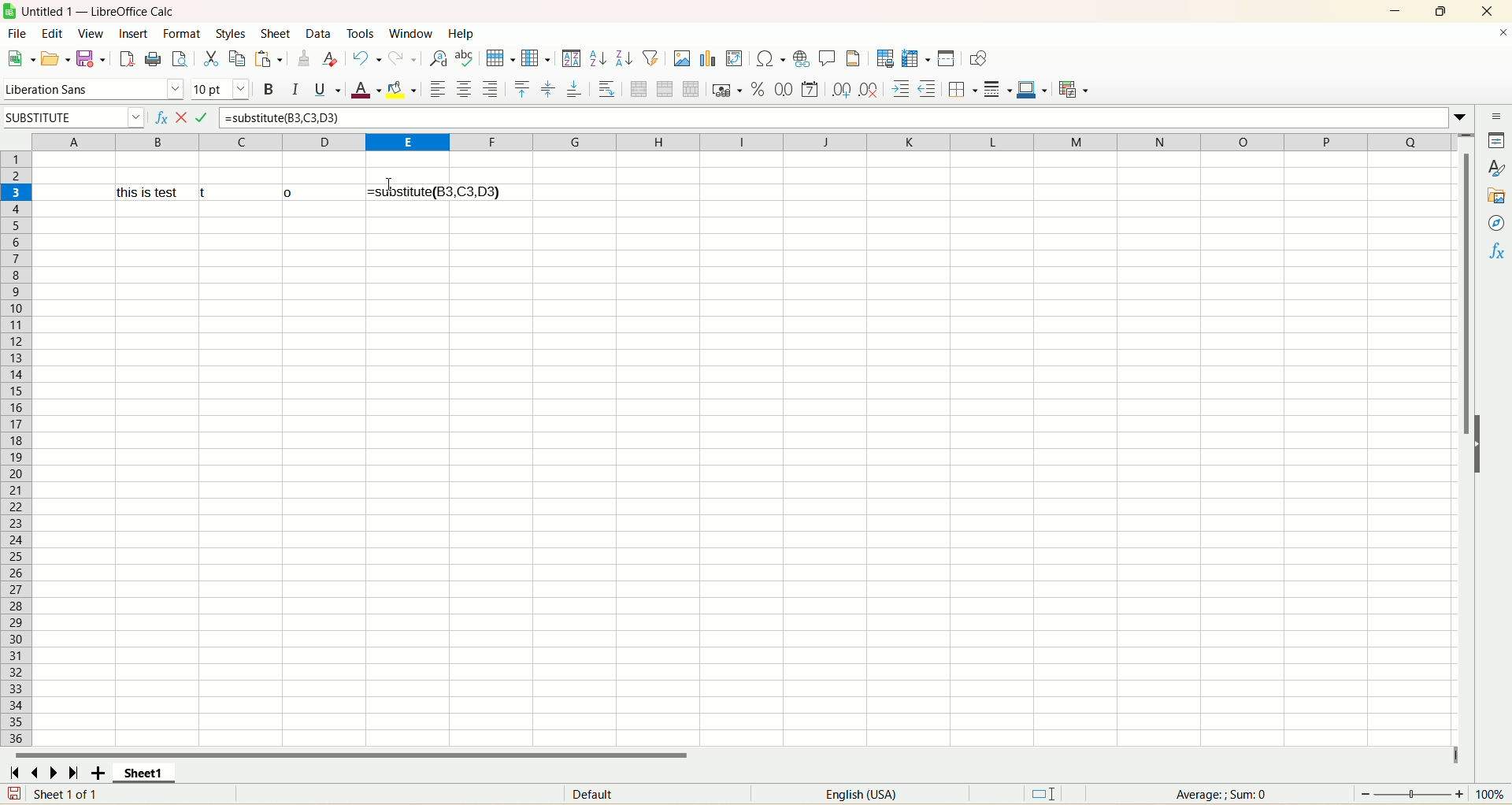  Describe the element at coordinates (885, 60) in the screenshot. I see `define print area` at that location.